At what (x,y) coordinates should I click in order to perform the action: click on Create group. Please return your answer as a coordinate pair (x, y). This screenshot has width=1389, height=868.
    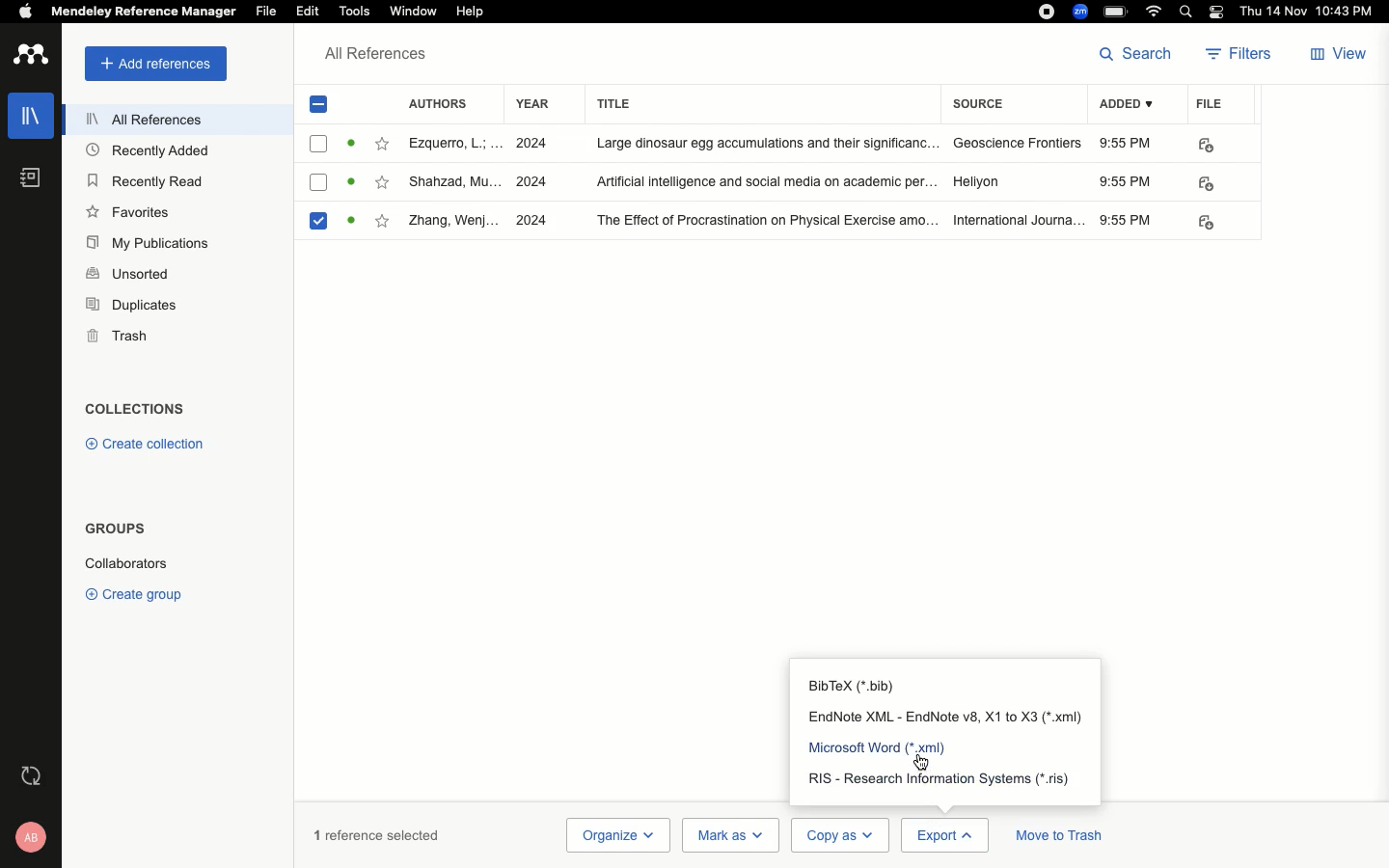
    Looking at the image, I should click on (138, 593).